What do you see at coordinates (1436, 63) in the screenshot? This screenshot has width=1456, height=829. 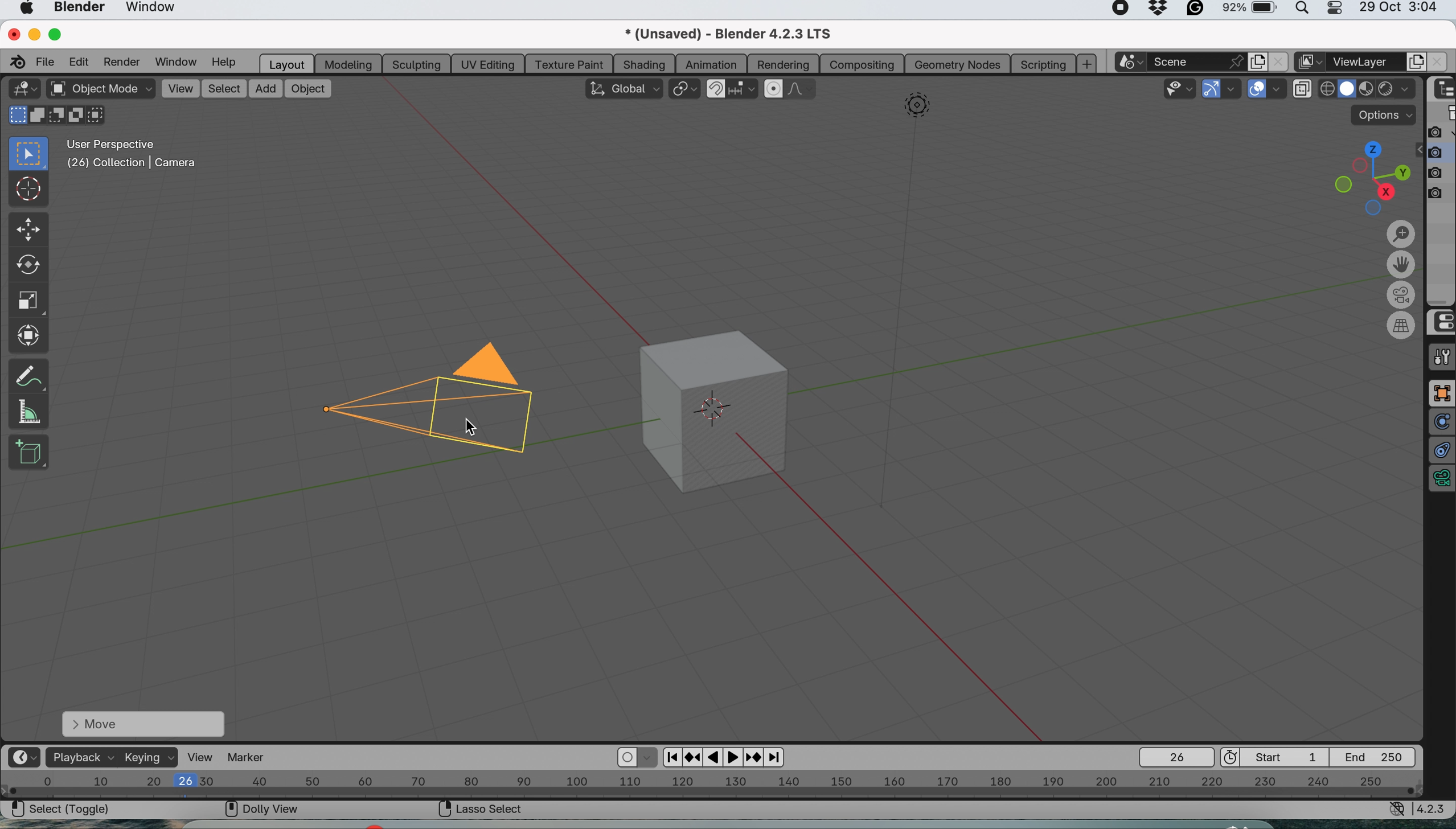 I see `close` at bounding box center [1436, 63].